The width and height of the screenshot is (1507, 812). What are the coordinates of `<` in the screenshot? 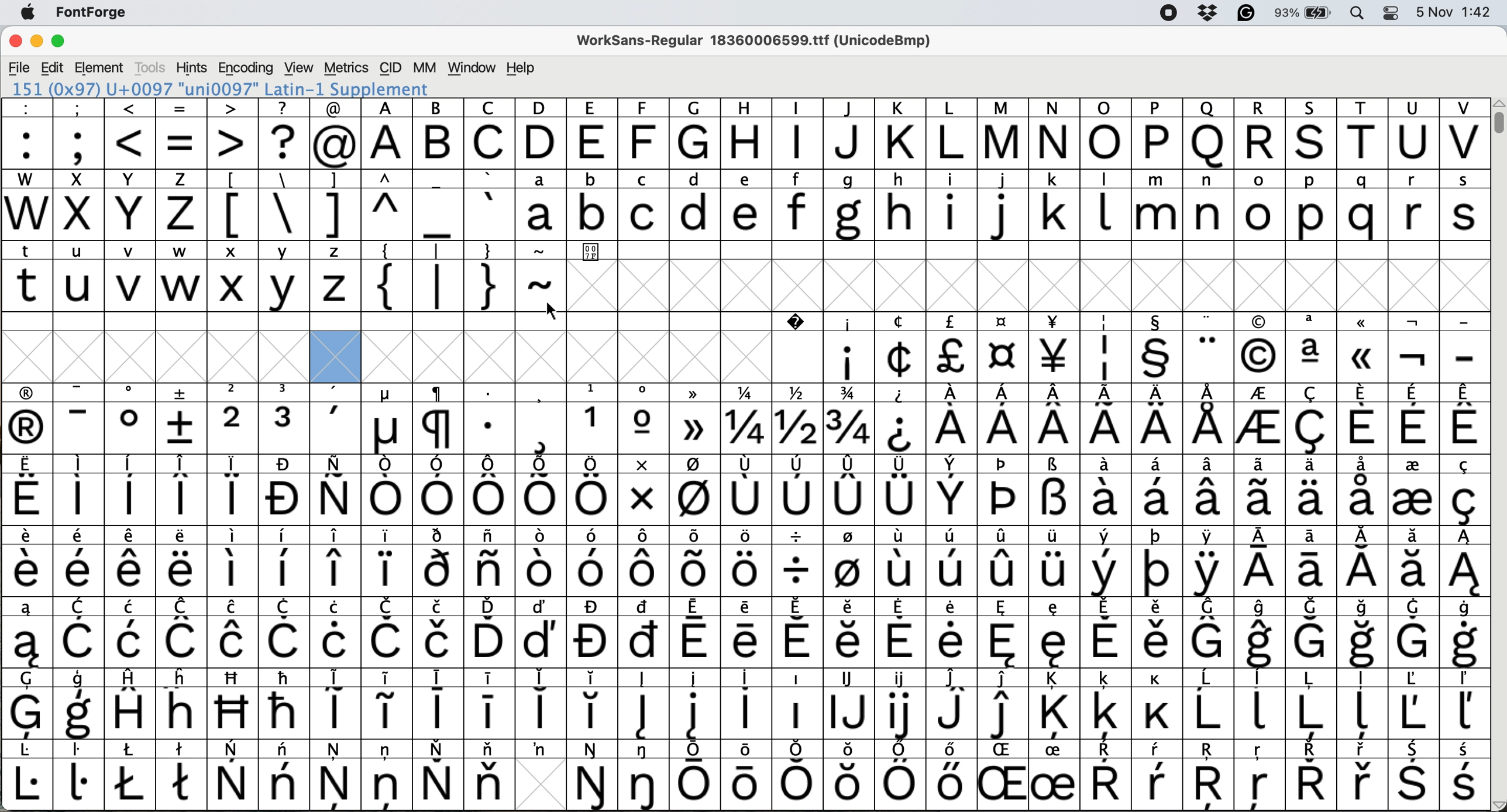 It's located at (130, 133).